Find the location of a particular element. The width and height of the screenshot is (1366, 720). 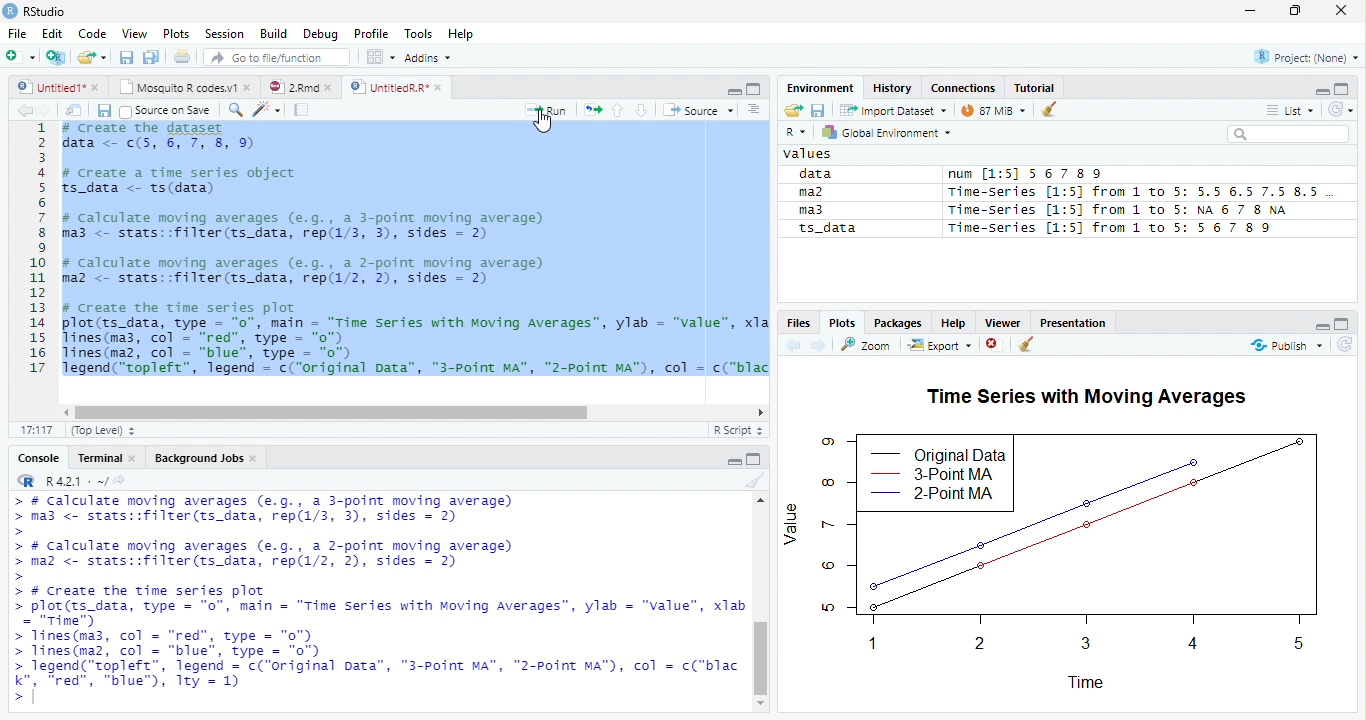

search is located at coordinates (1288, 134).